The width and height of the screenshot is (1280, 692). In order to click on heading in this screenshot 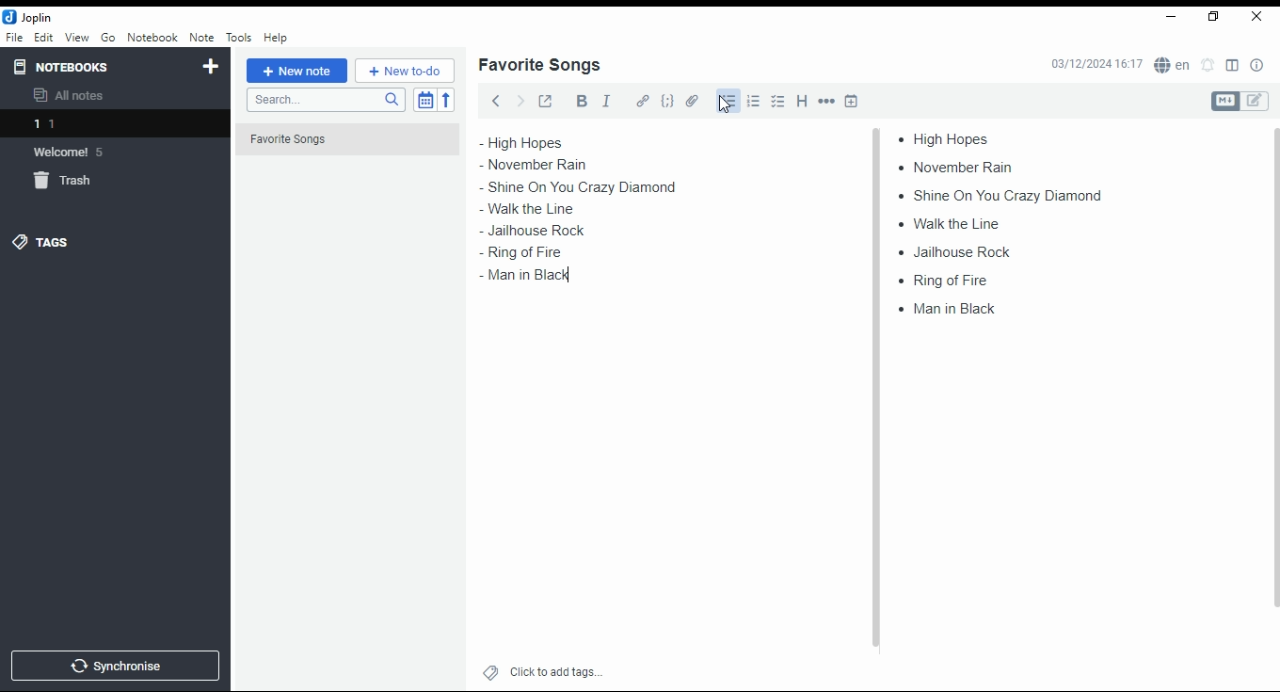, I will do `click(803, 99)`.